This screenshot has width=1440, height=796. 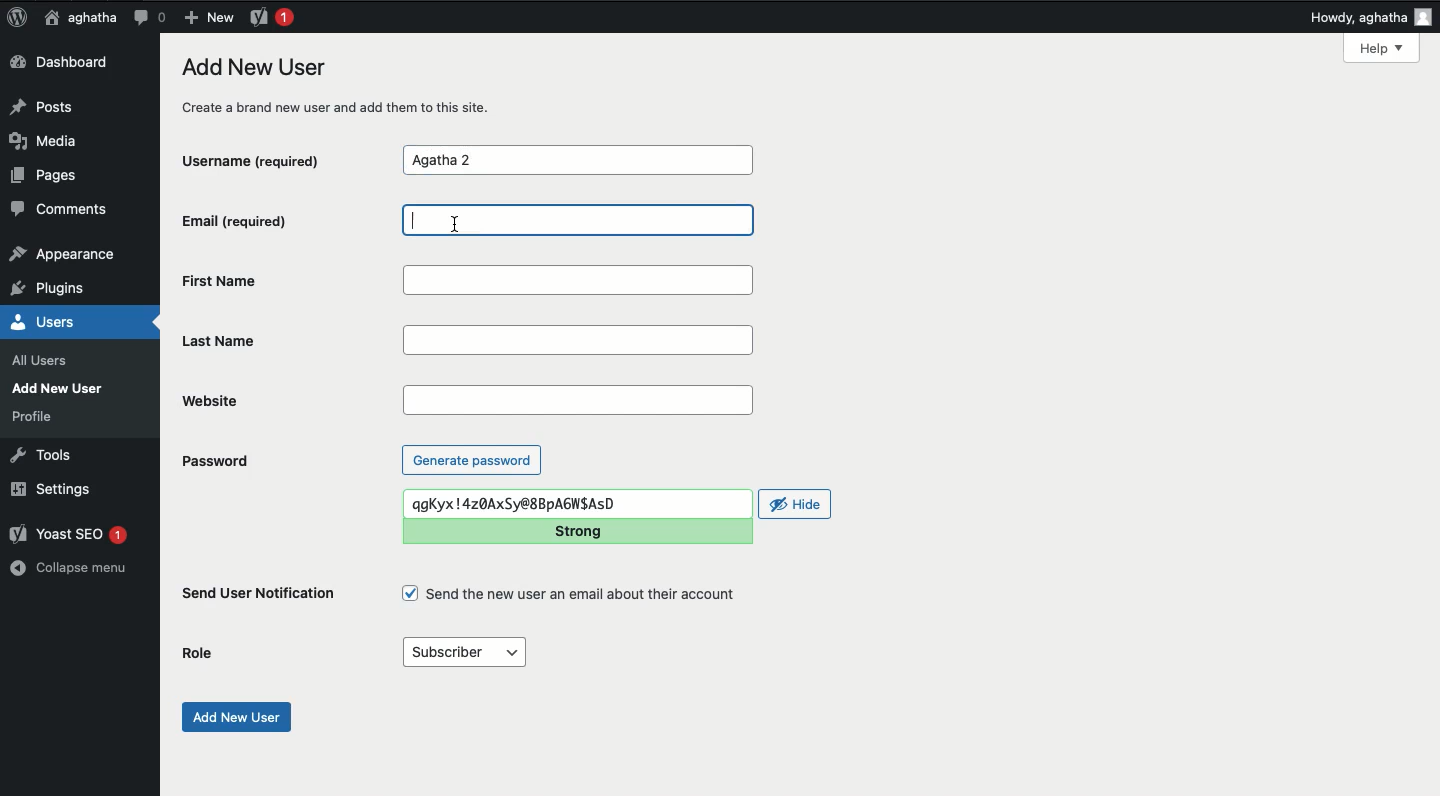 I want to click on Last name, so click(x=289, y=340).